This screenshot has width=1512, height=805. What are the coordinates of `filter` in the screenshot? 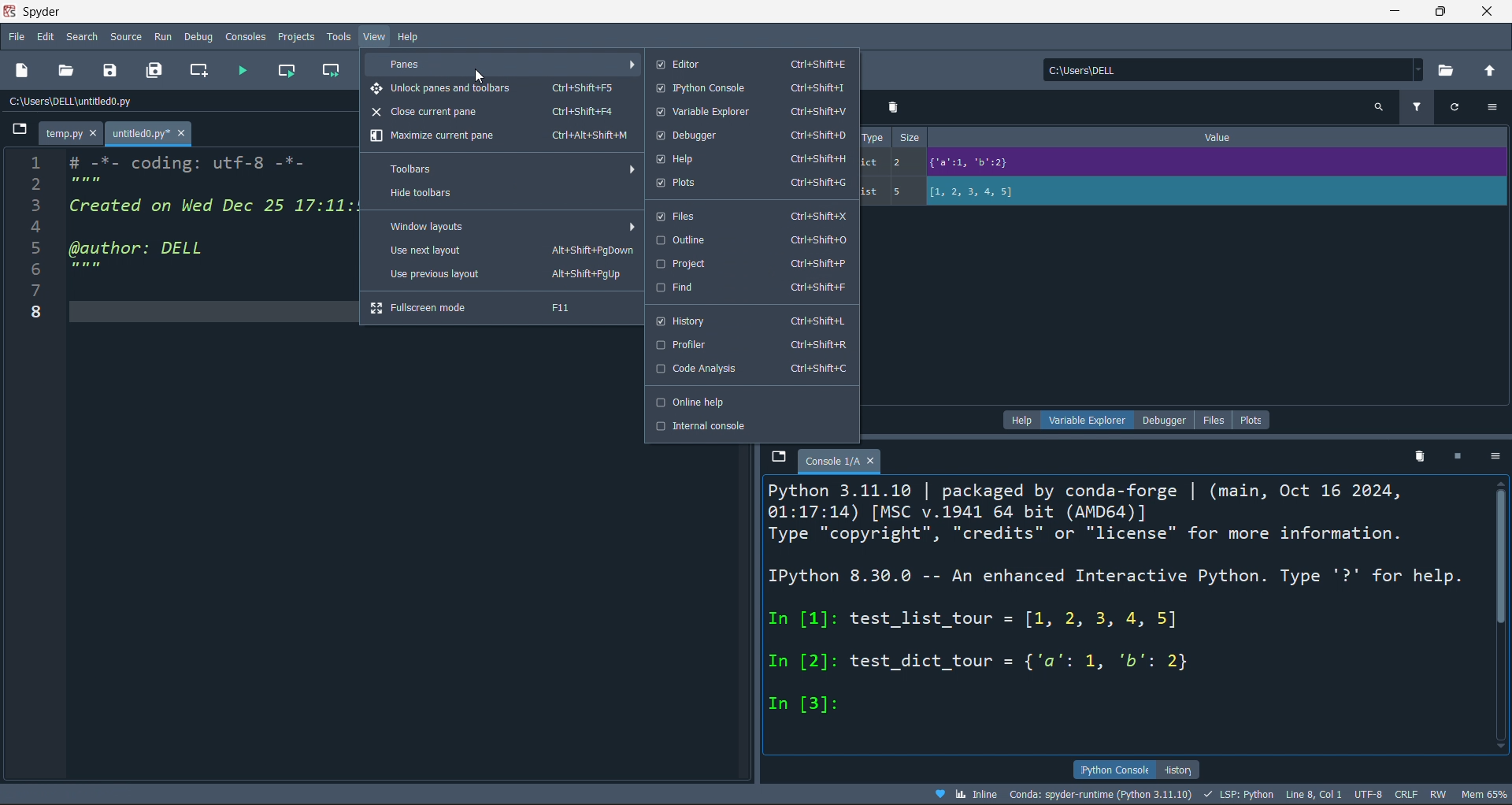 It's located at (1417, 108).